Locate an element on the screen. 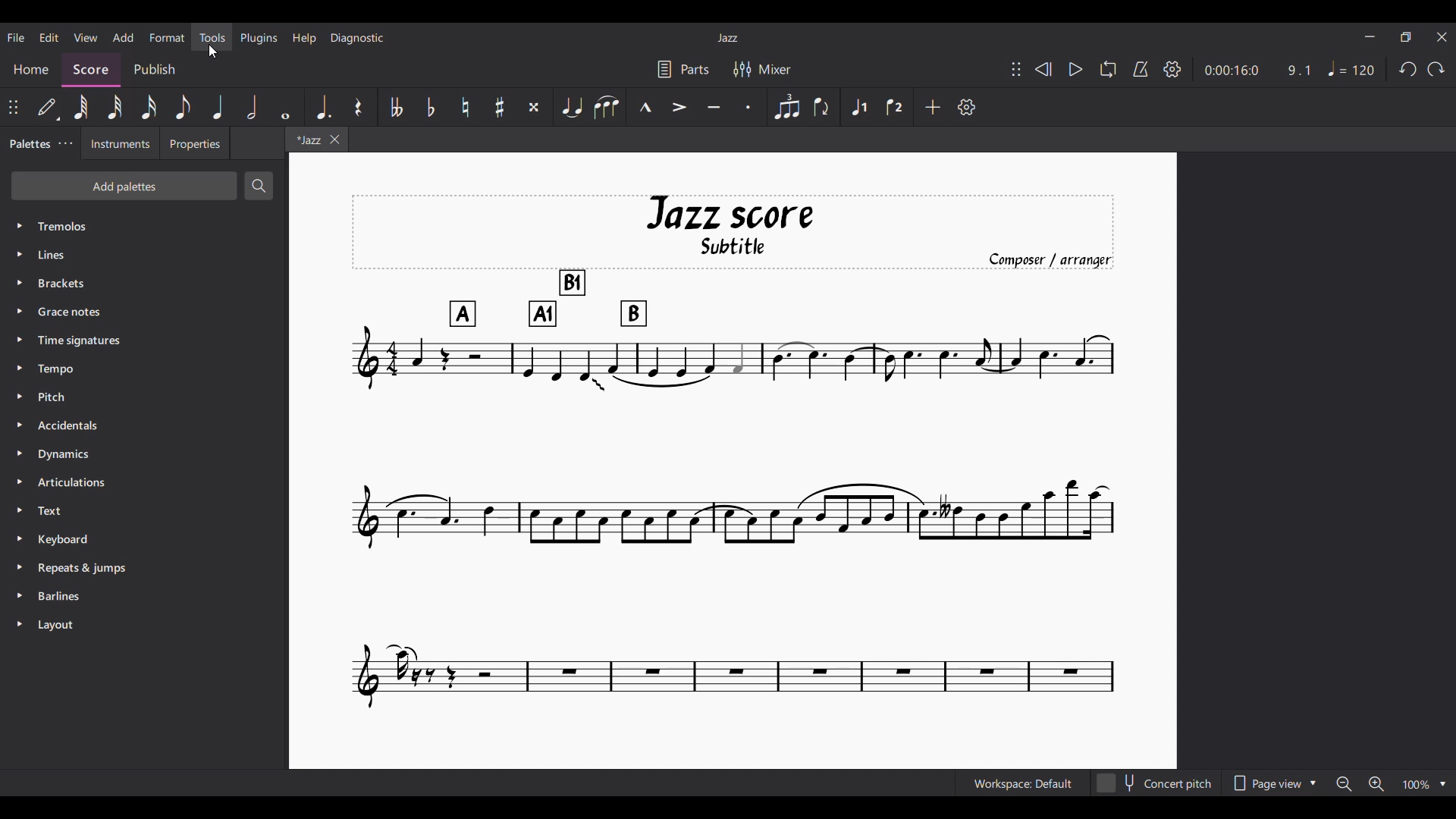  Default is located at coordinates (48, 107).